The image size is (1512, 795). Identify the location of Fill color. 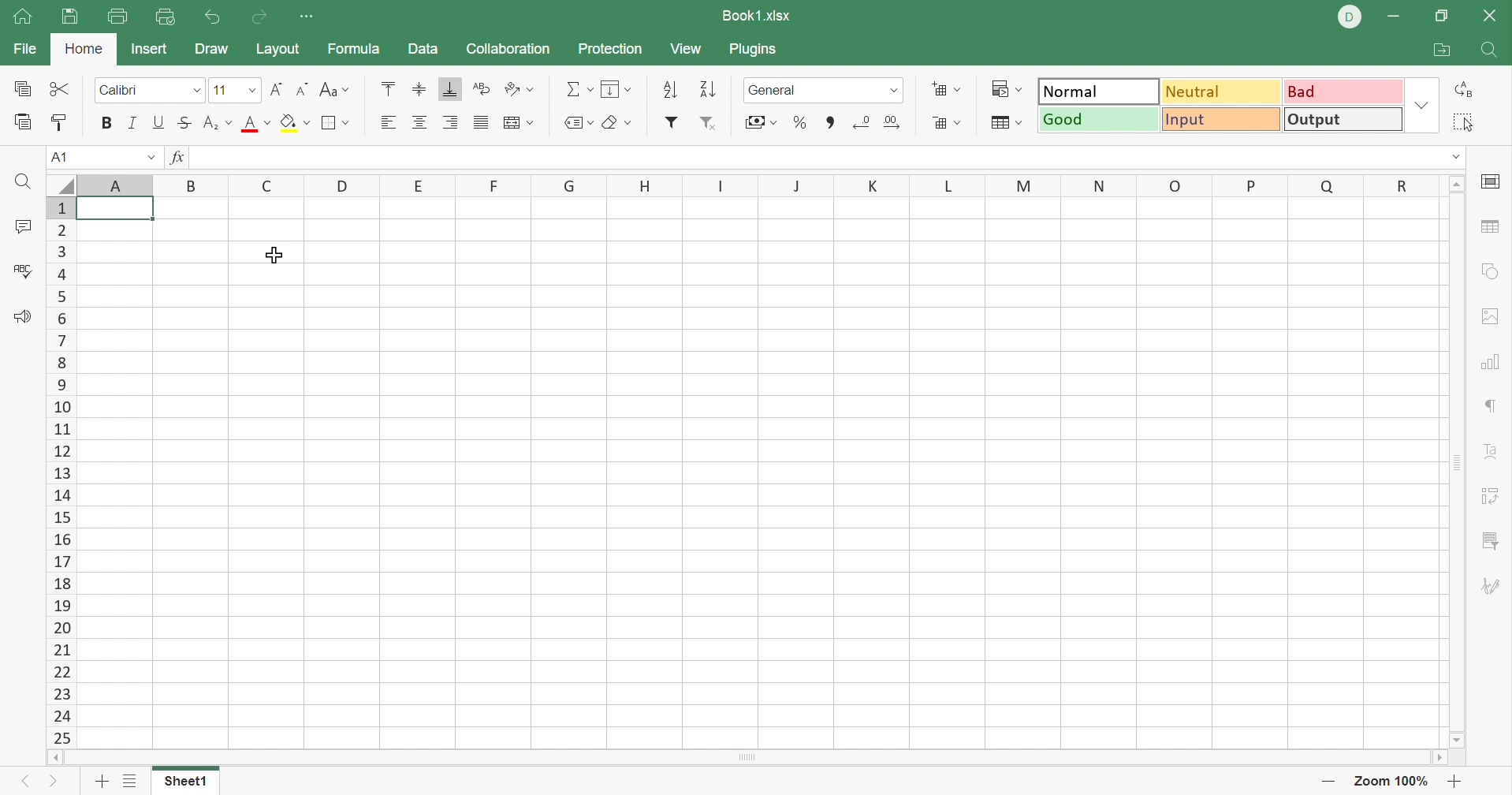
(296, 123).